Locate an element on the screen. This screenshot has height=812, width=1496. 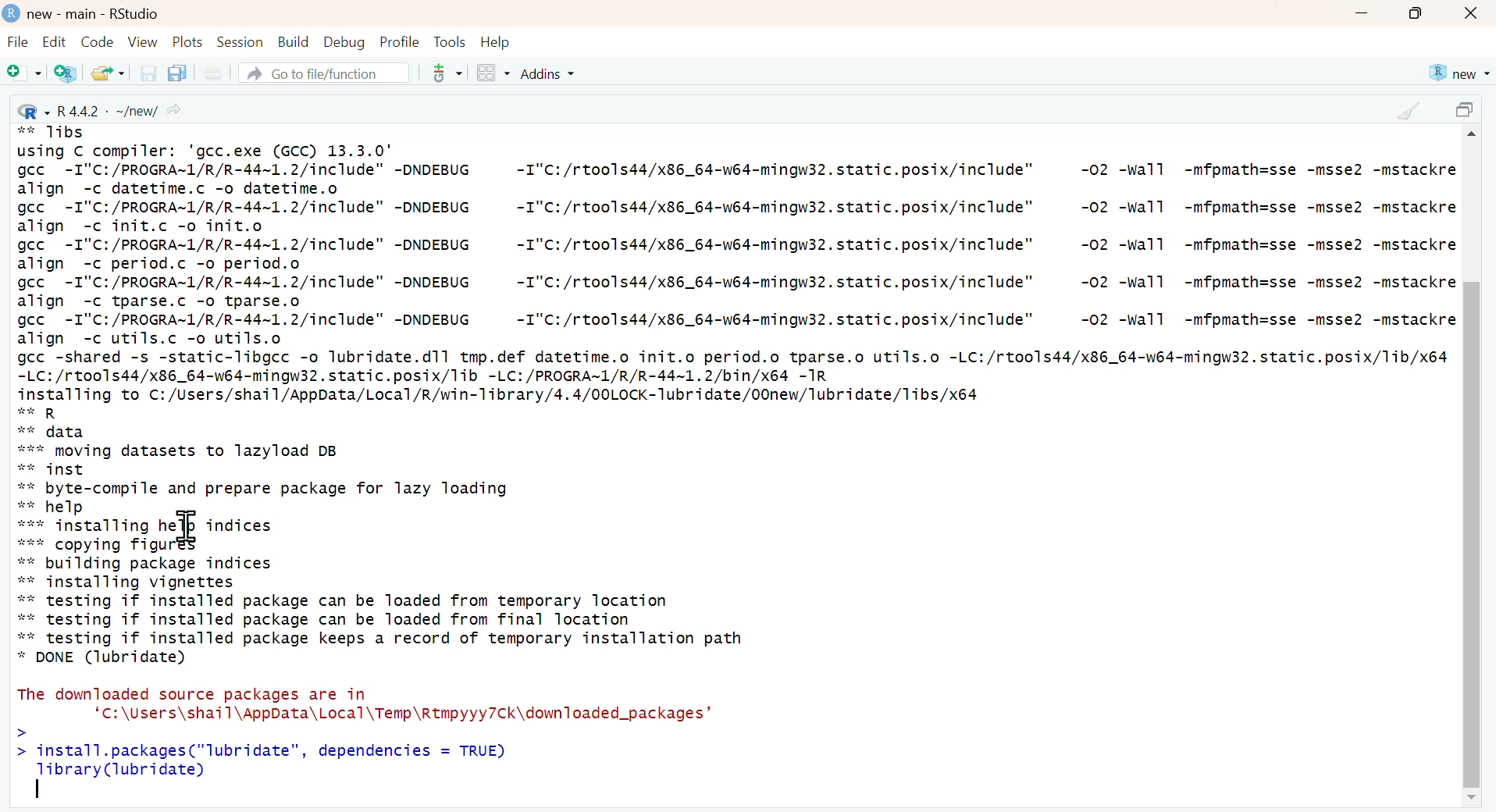
print is located at coordinates (212, 73).